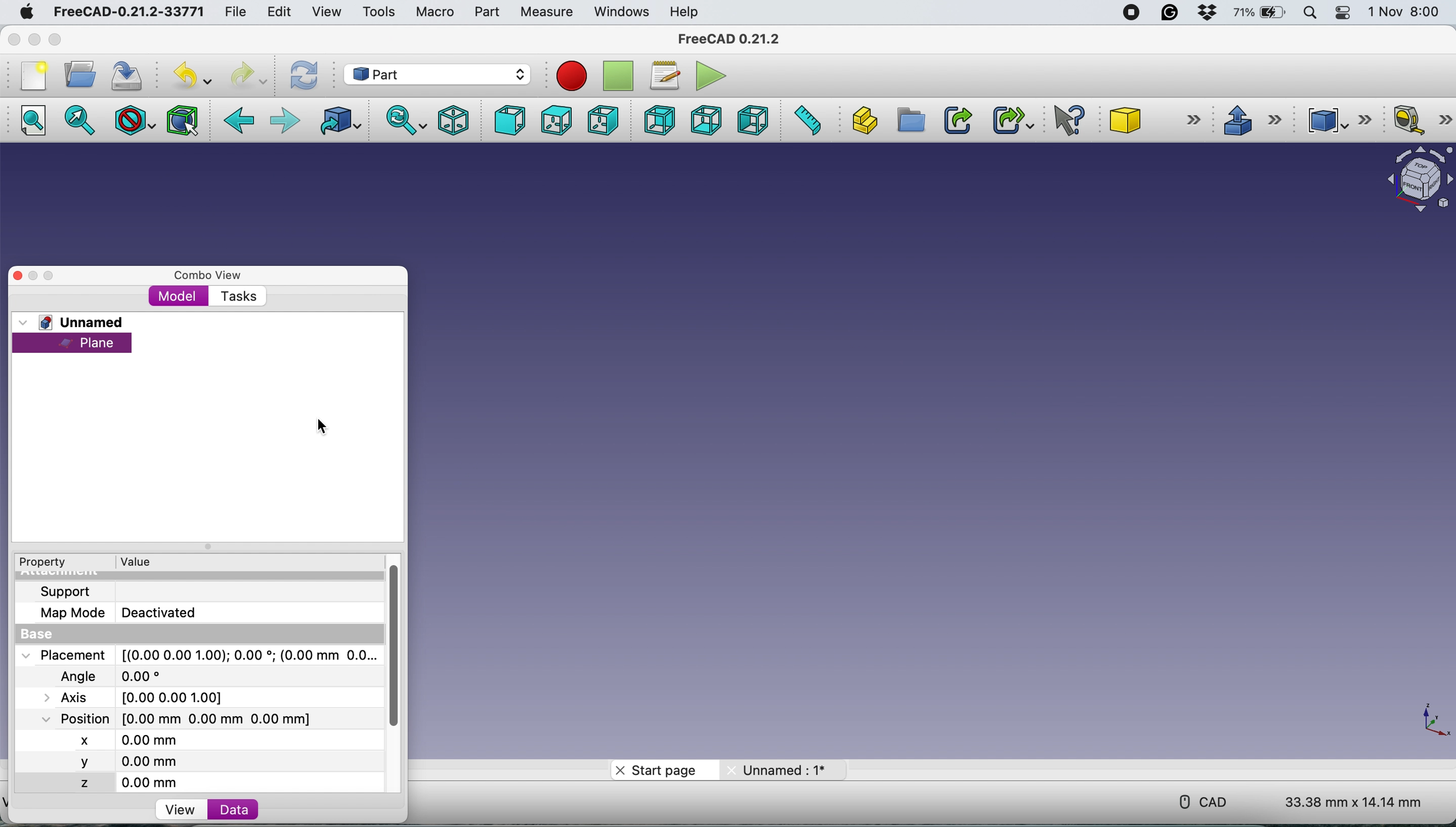 This screenshot has width=1456, height=827. What do you see at coordinates (231, 12) in the screenshot?
I see `file` at bounding box center [231, 12].